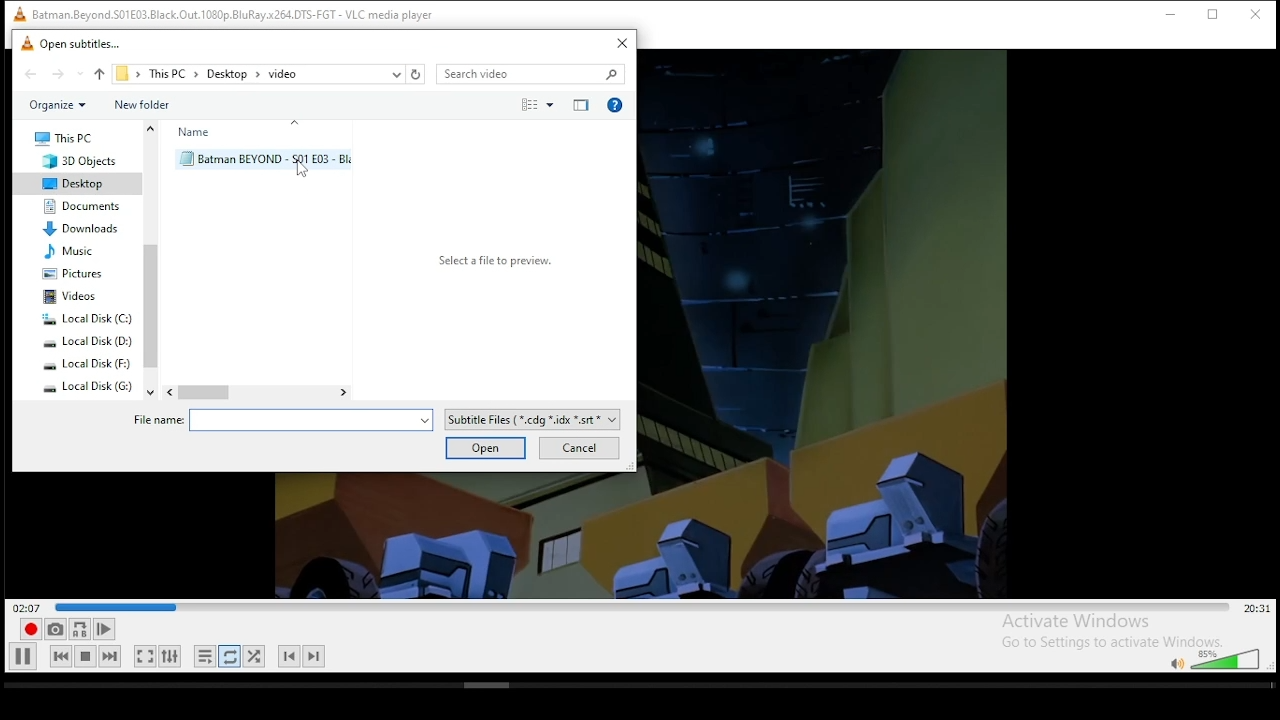 This screenshot has width=1280, height=720. I want to click on system drive 3, so click(88, 365).